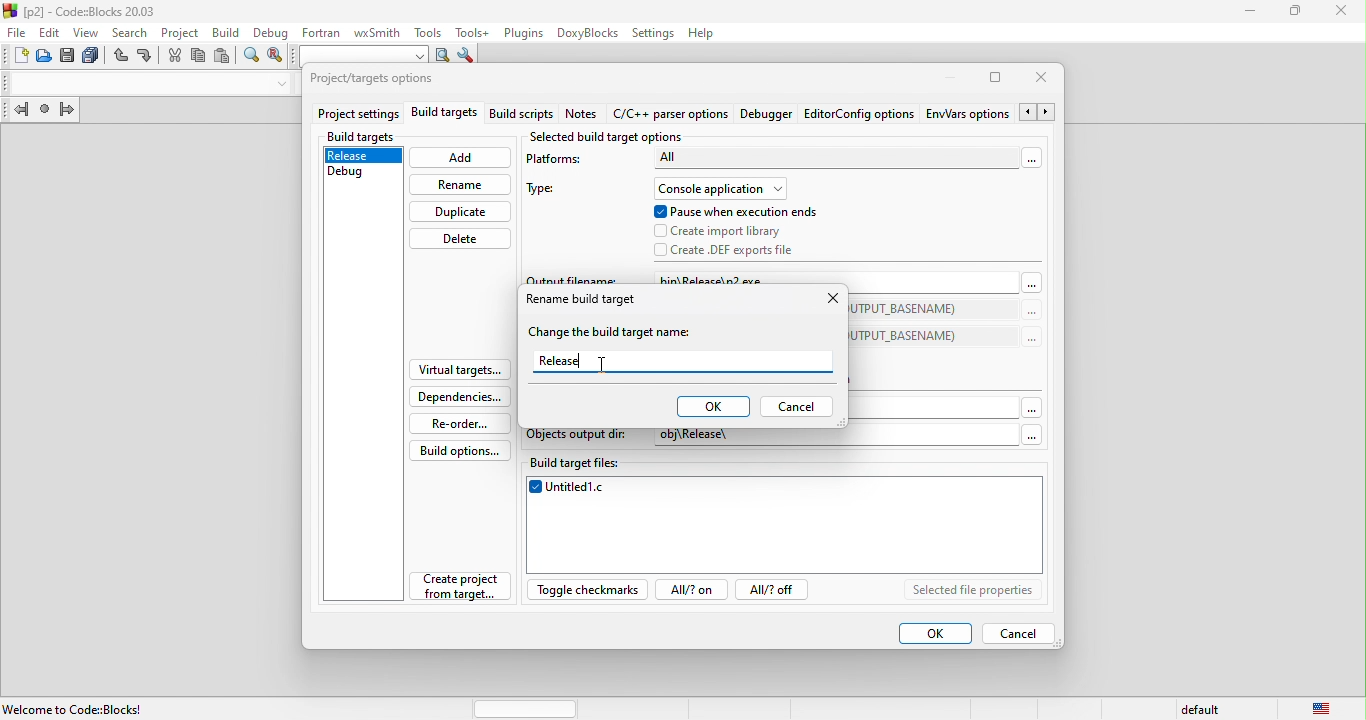 This screenshot has width=1366, height=720. I want to click on build options, so click(468, 451).